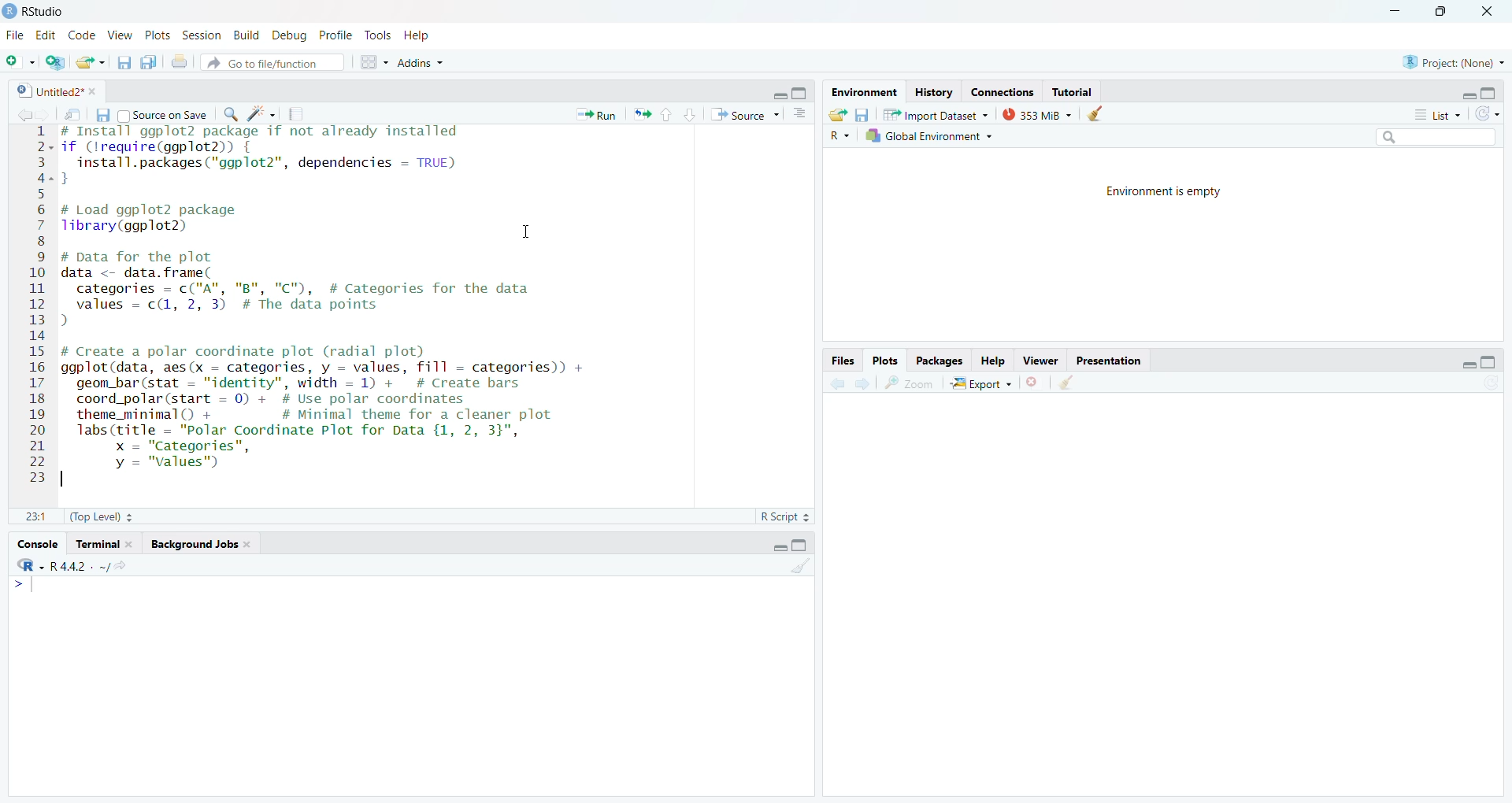  What do you see at coordinates (861, 91) in the screenshot?
I see `Environment` at bounding box center [861, 91].